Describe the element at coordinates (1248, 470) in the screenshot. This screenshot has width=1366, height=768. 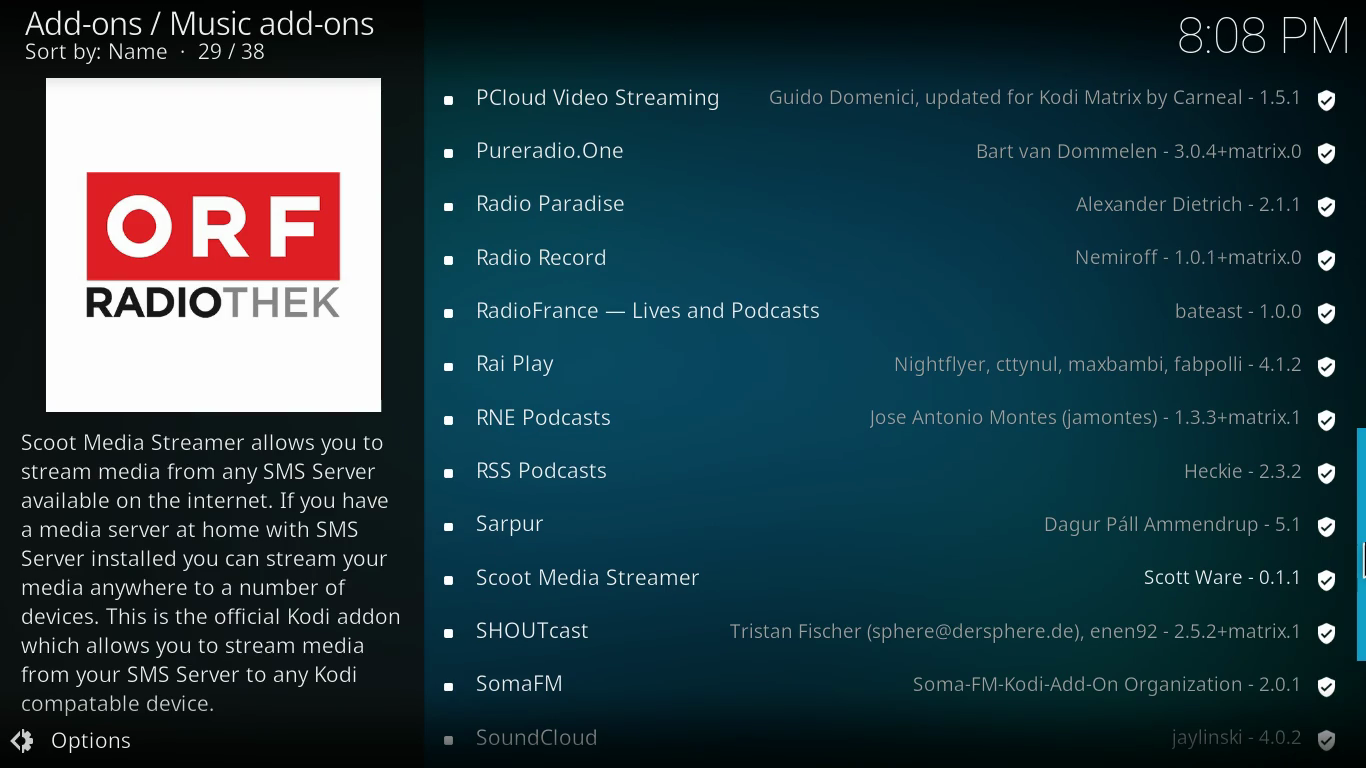
I see `provider` at that location.